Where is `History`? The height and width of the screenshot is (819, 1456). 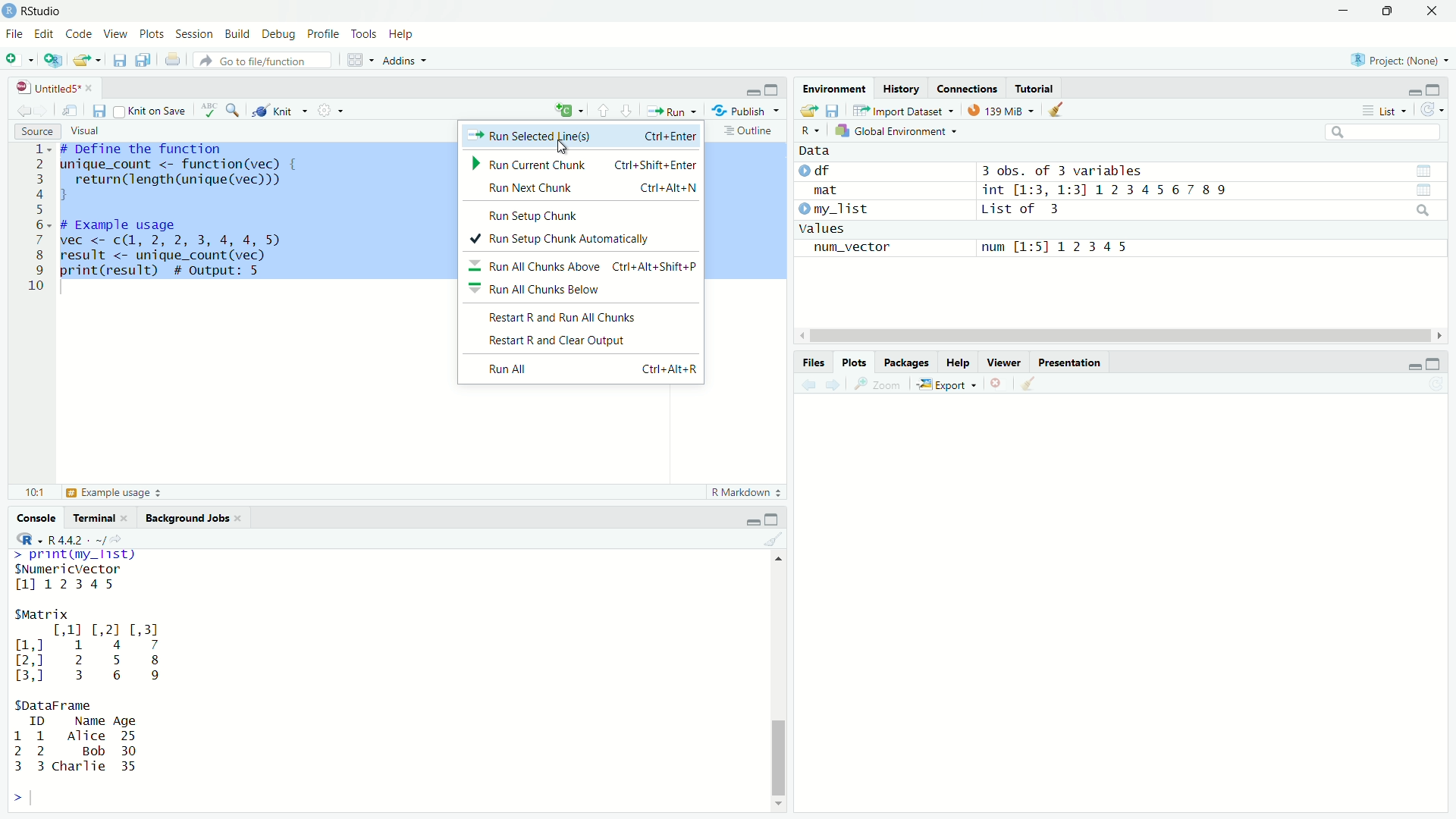
History is located at coordinates (902, 89).